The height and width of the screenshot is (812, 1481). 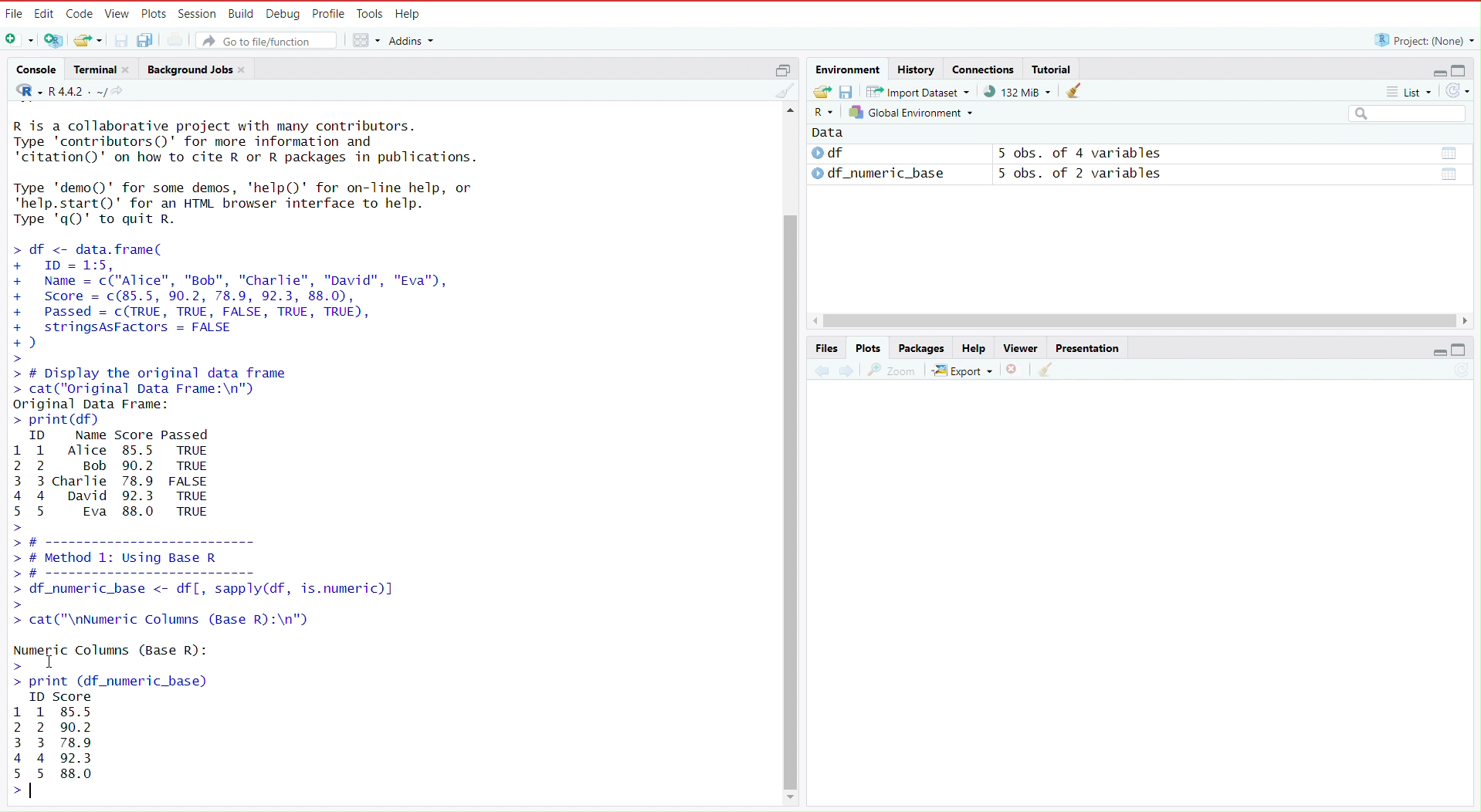 I want to click on typing, so click(x=36, y=791).